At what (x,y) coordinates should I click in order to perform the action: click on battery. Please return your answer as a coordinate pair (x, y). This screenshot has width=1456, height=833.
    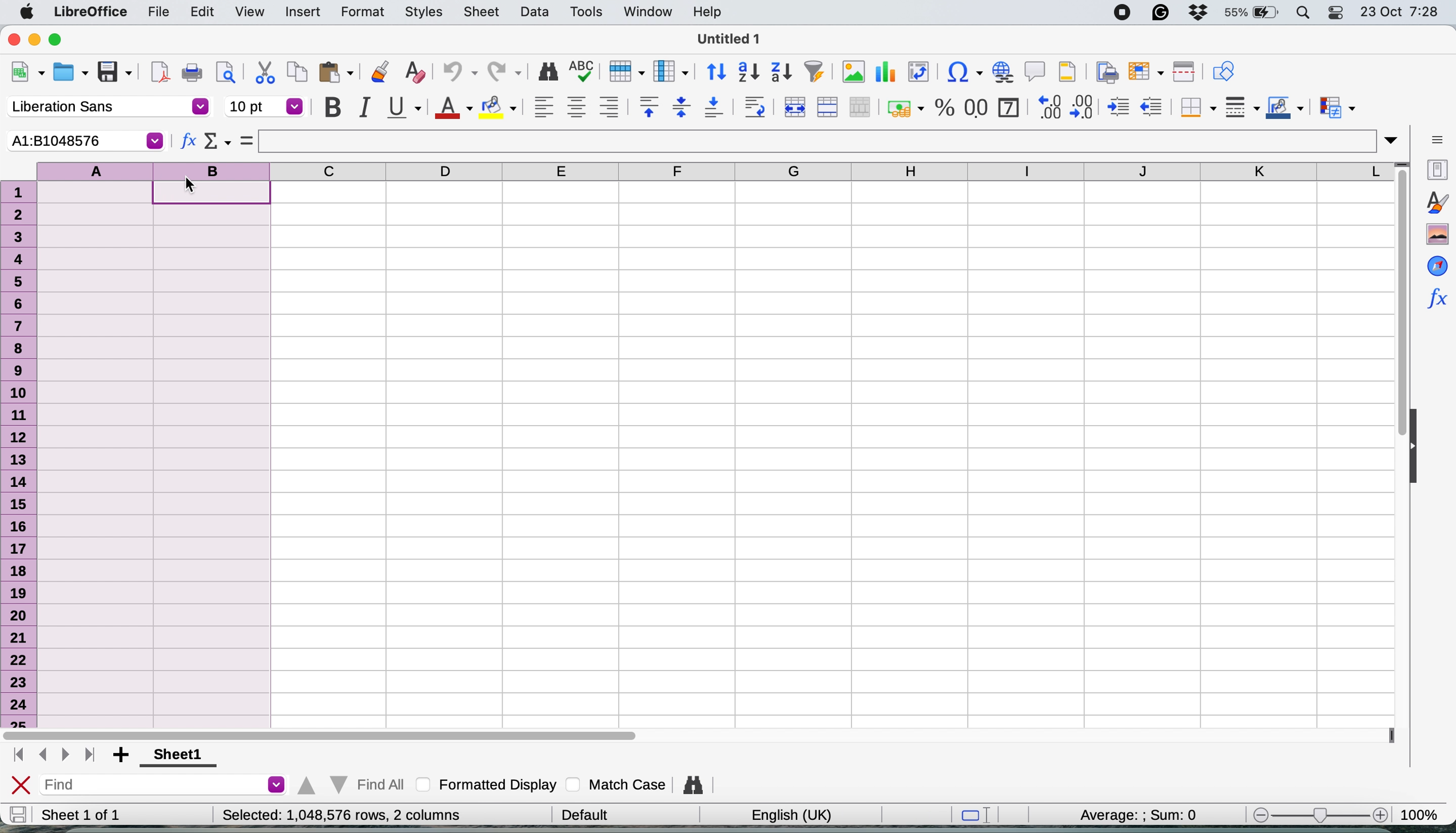
    Looking at the image, I should click on (1248, 13).